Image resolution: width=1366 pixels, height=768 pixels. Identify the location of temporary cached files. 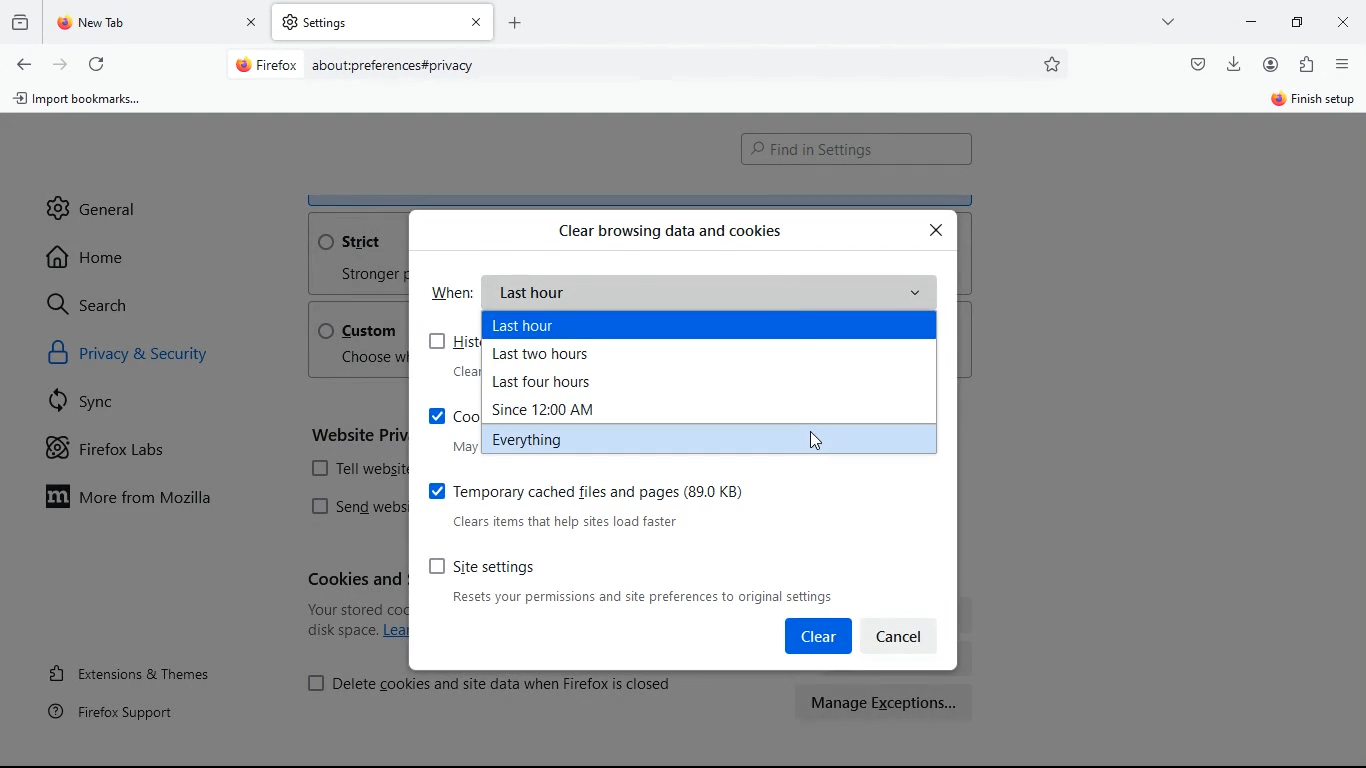
(616, 503).